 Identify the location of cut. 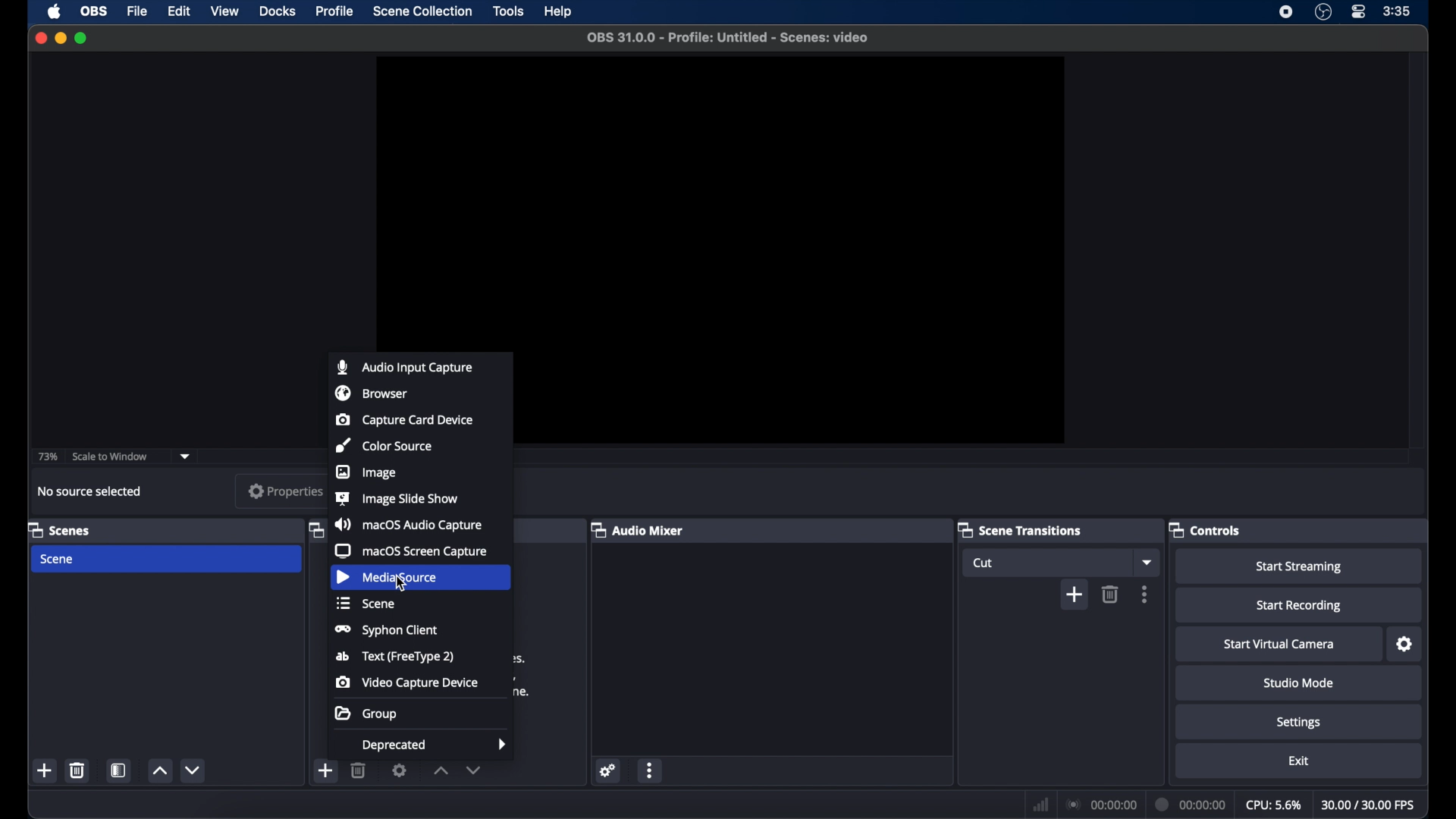
(983, 563).